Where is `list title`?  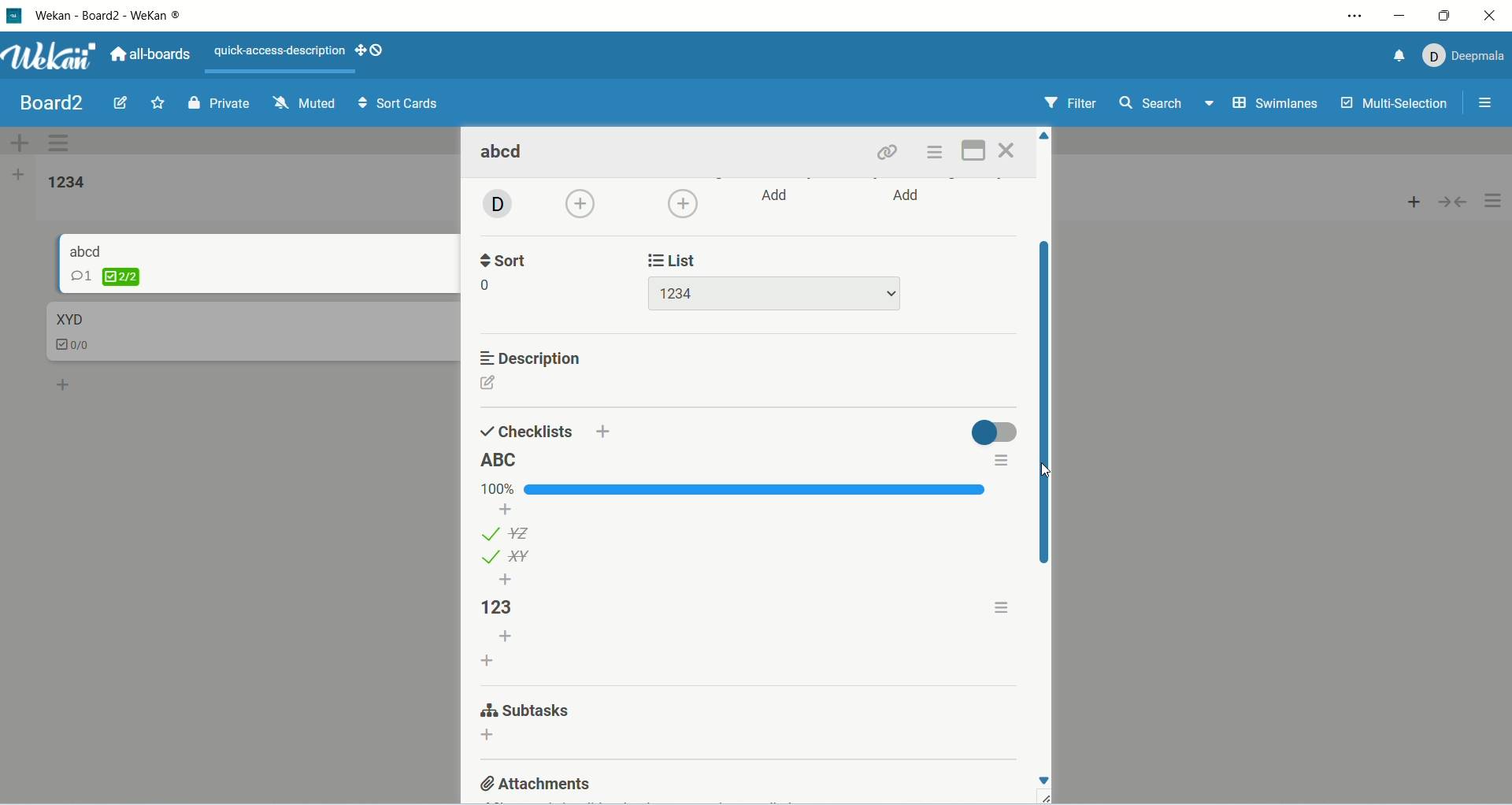
list title is located at coordinates (508, 607).